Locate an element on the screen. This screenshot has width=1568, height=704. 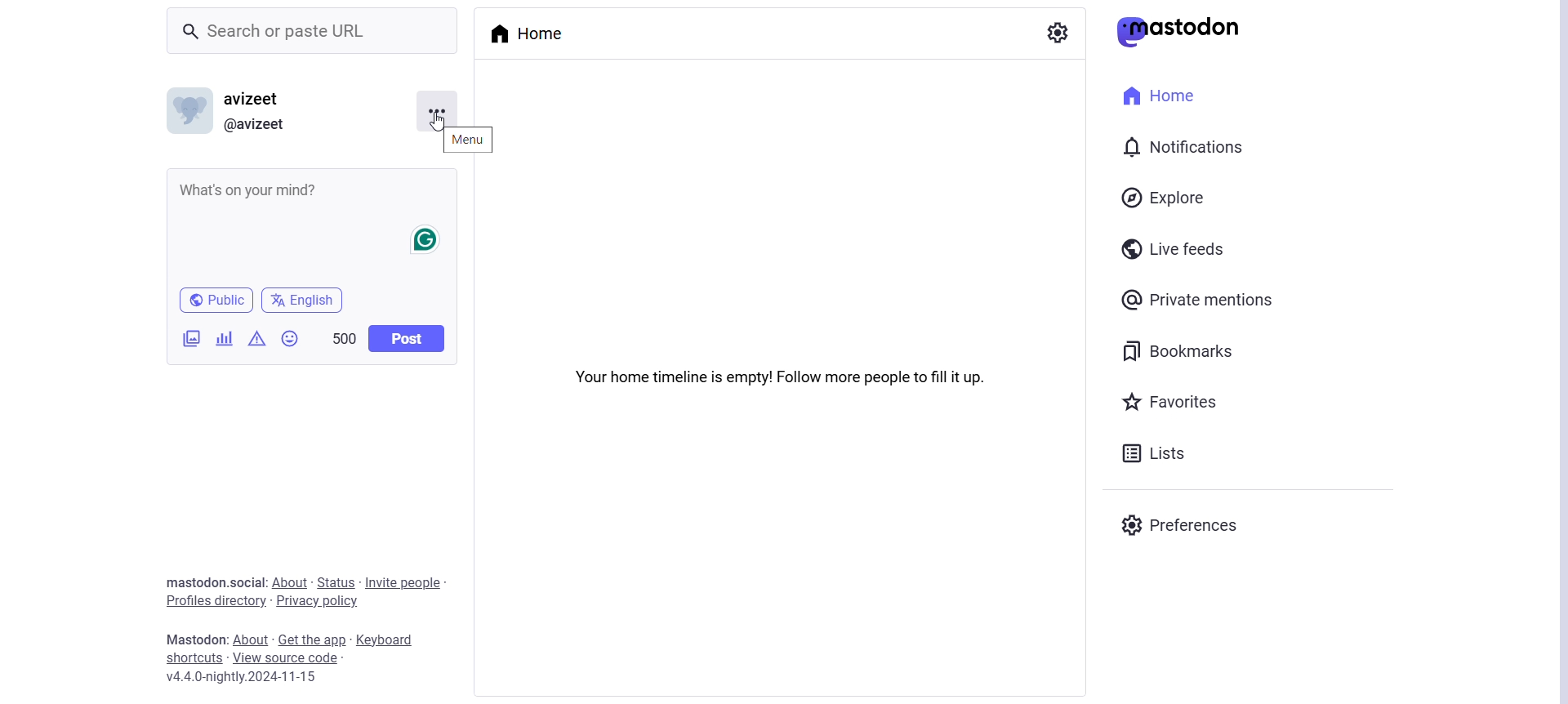
Public is located at coordinates (216, 300).